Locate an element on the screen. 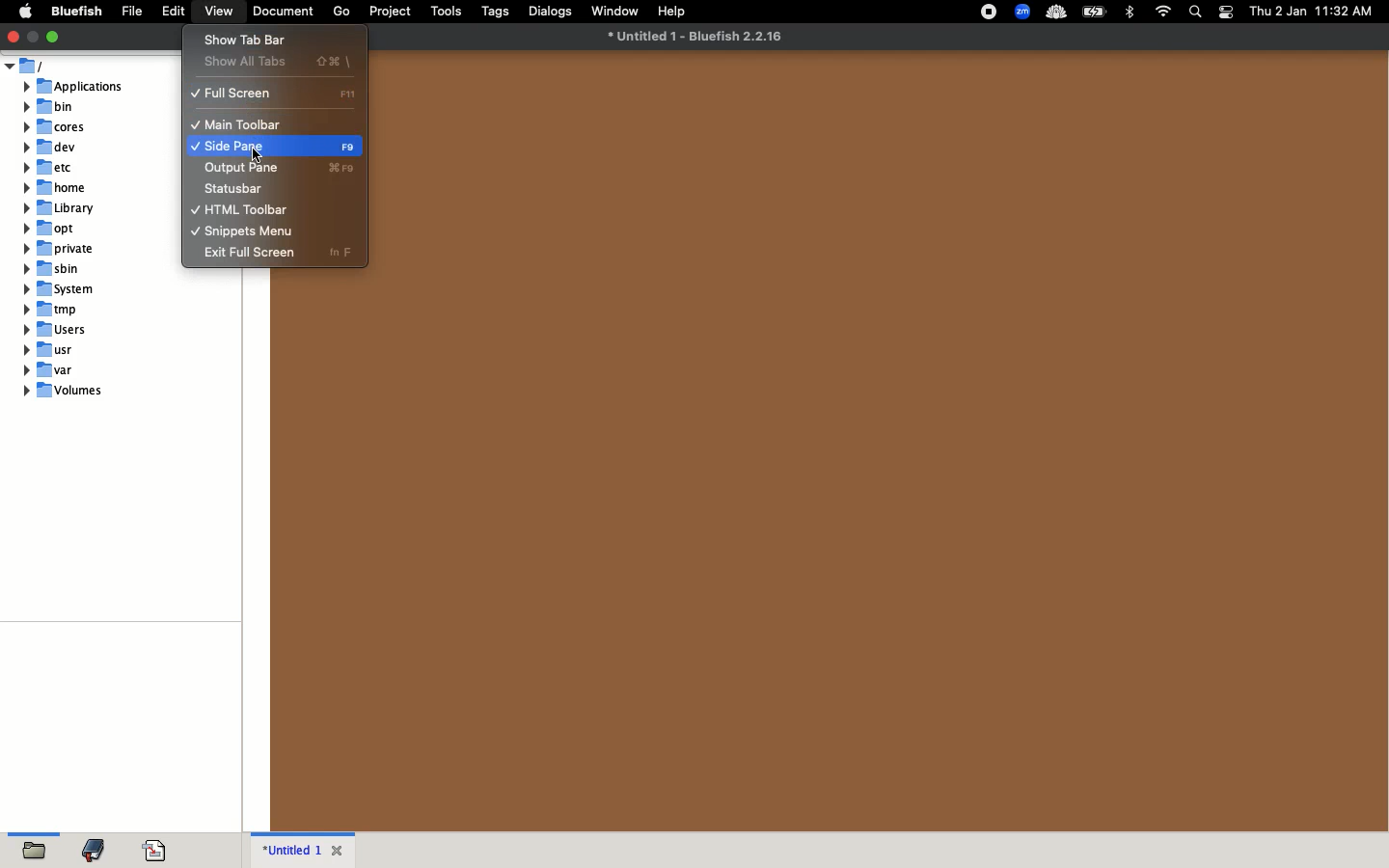 The image size is (1389, 868). project is located at coordinates (389, 12).